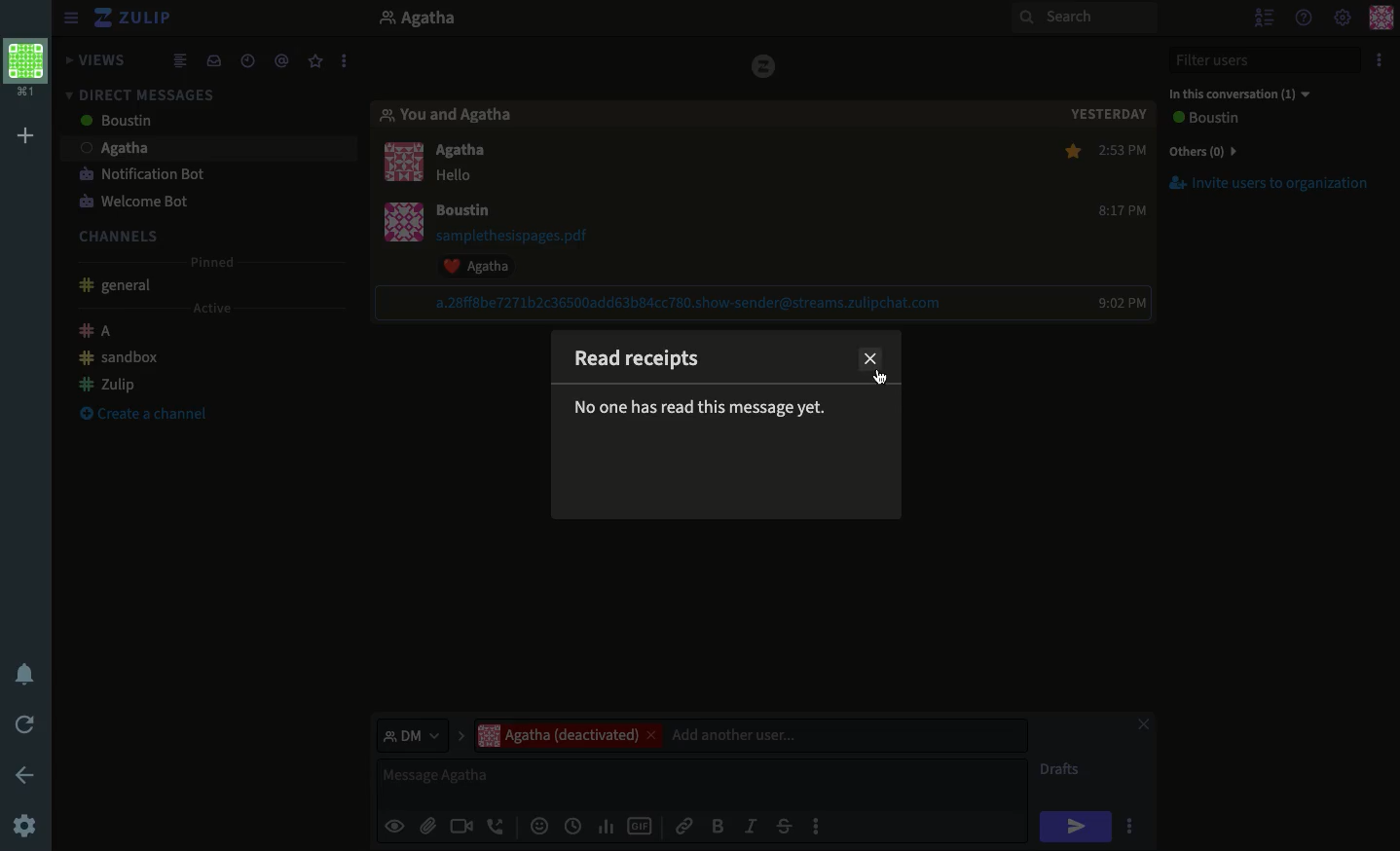 This screenshot has width=1400, height=851. Describe the element at coordinates (640, 828) in the screenshot. I see `GIF` at that location.